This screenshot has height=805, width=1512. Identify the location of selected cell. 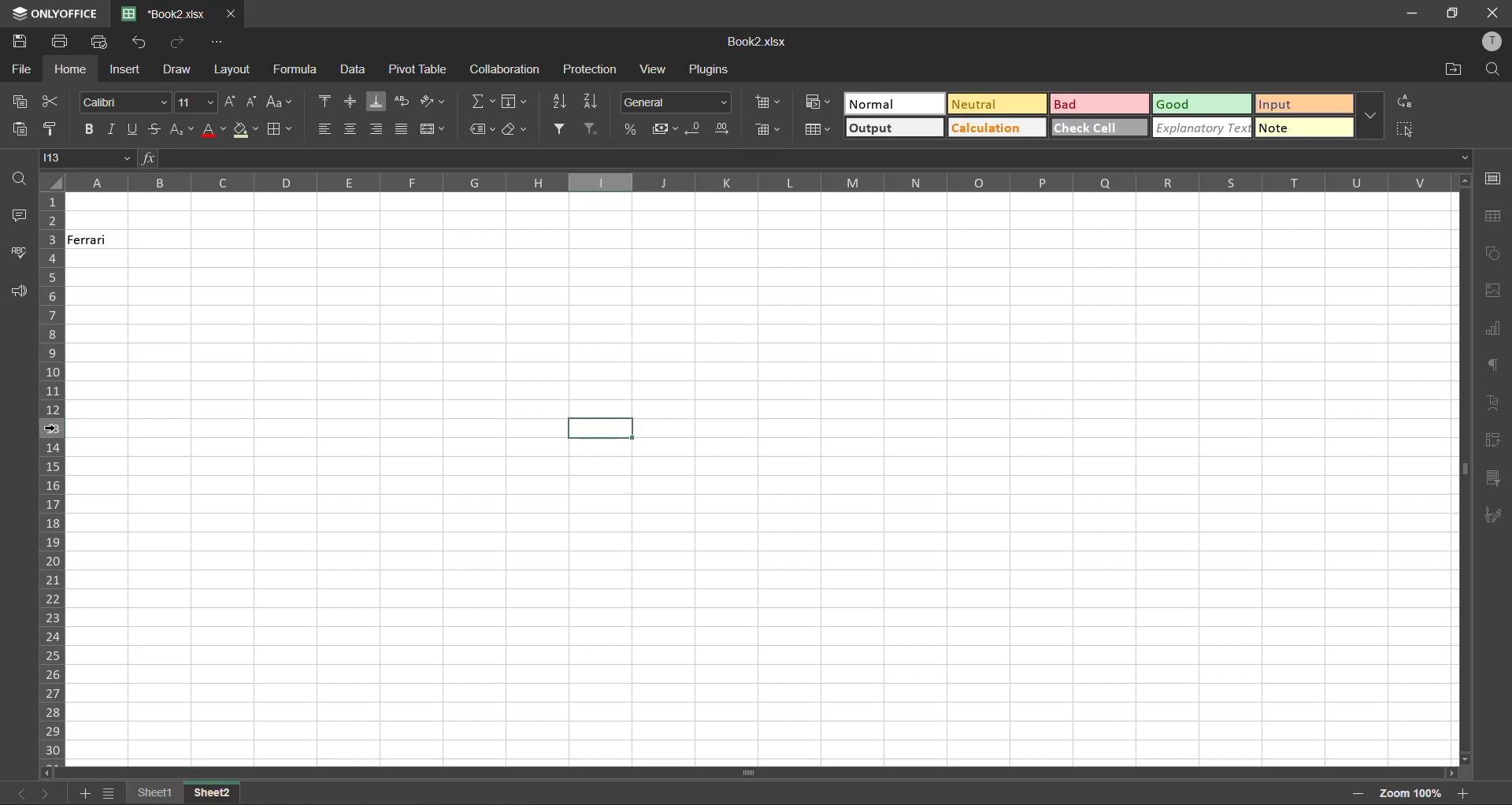
(602, 428).